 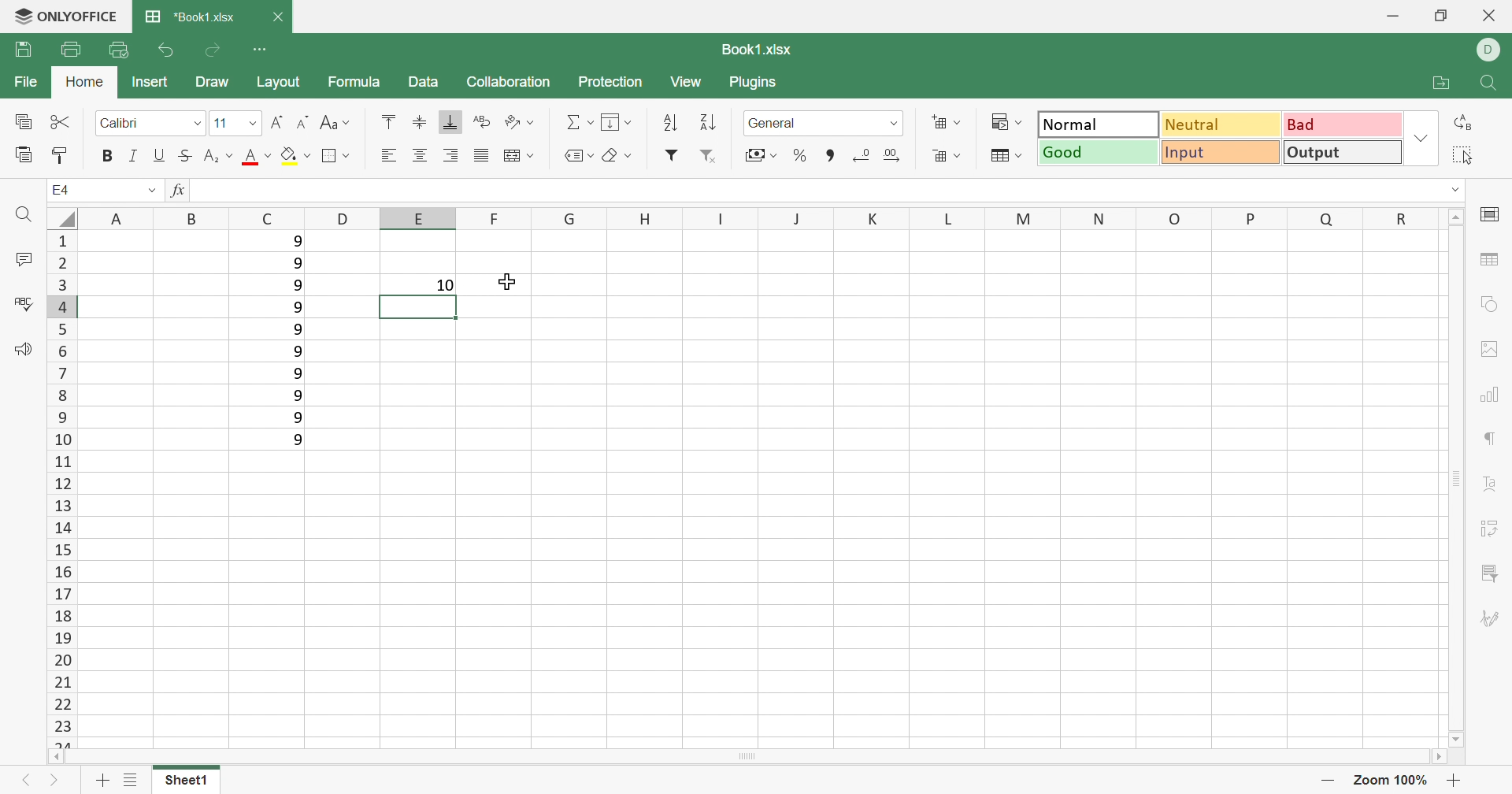 What do you see at coordinates (1341, 153) in the screenshot?
I see `Output` at bounding box center [1341, 153].